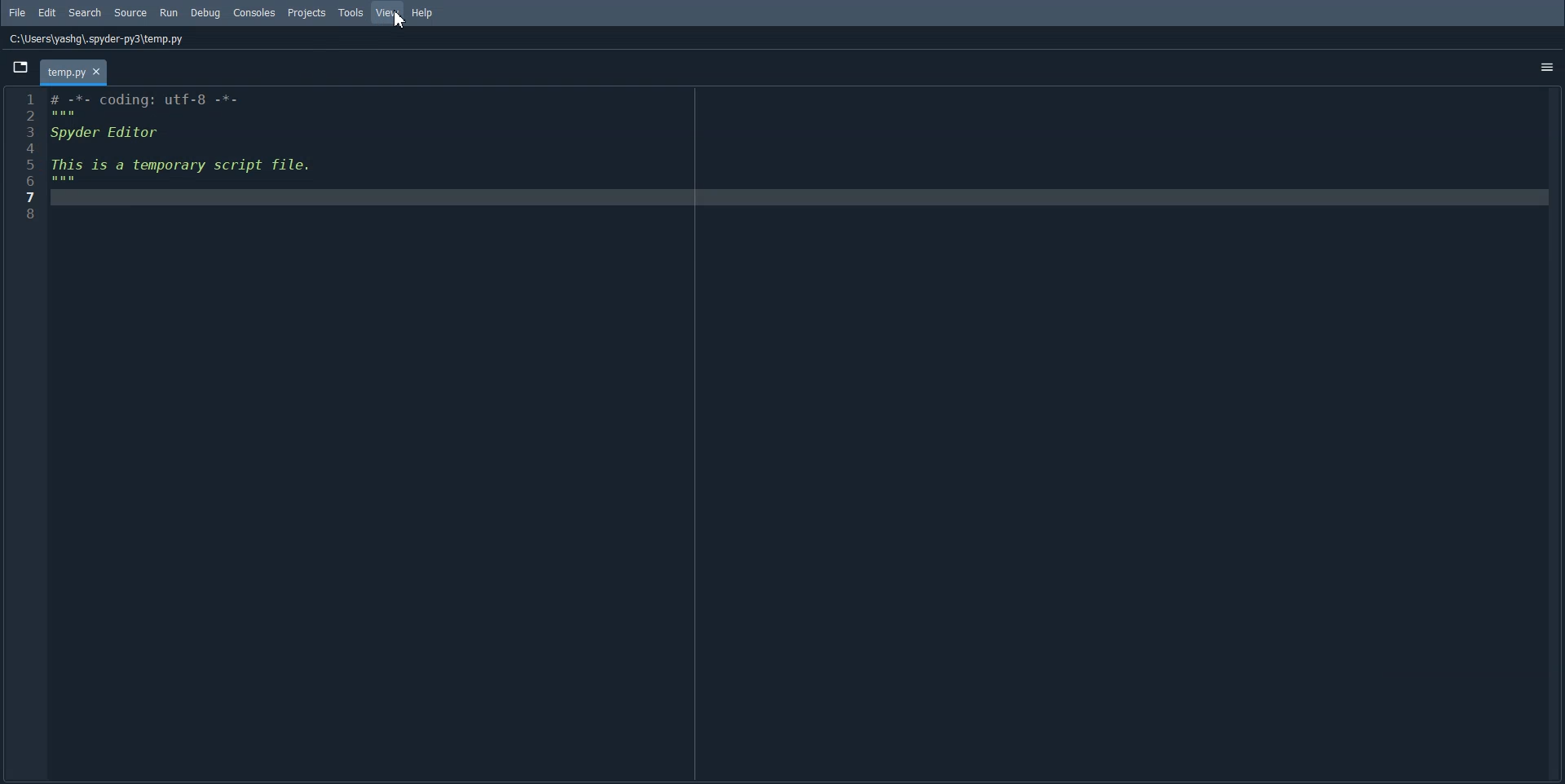 Image resolution: width=1565 pixels, height=784 pixels. Describe the element at coordinates (25, 153) in the screenshot. I see `line number` at that location.